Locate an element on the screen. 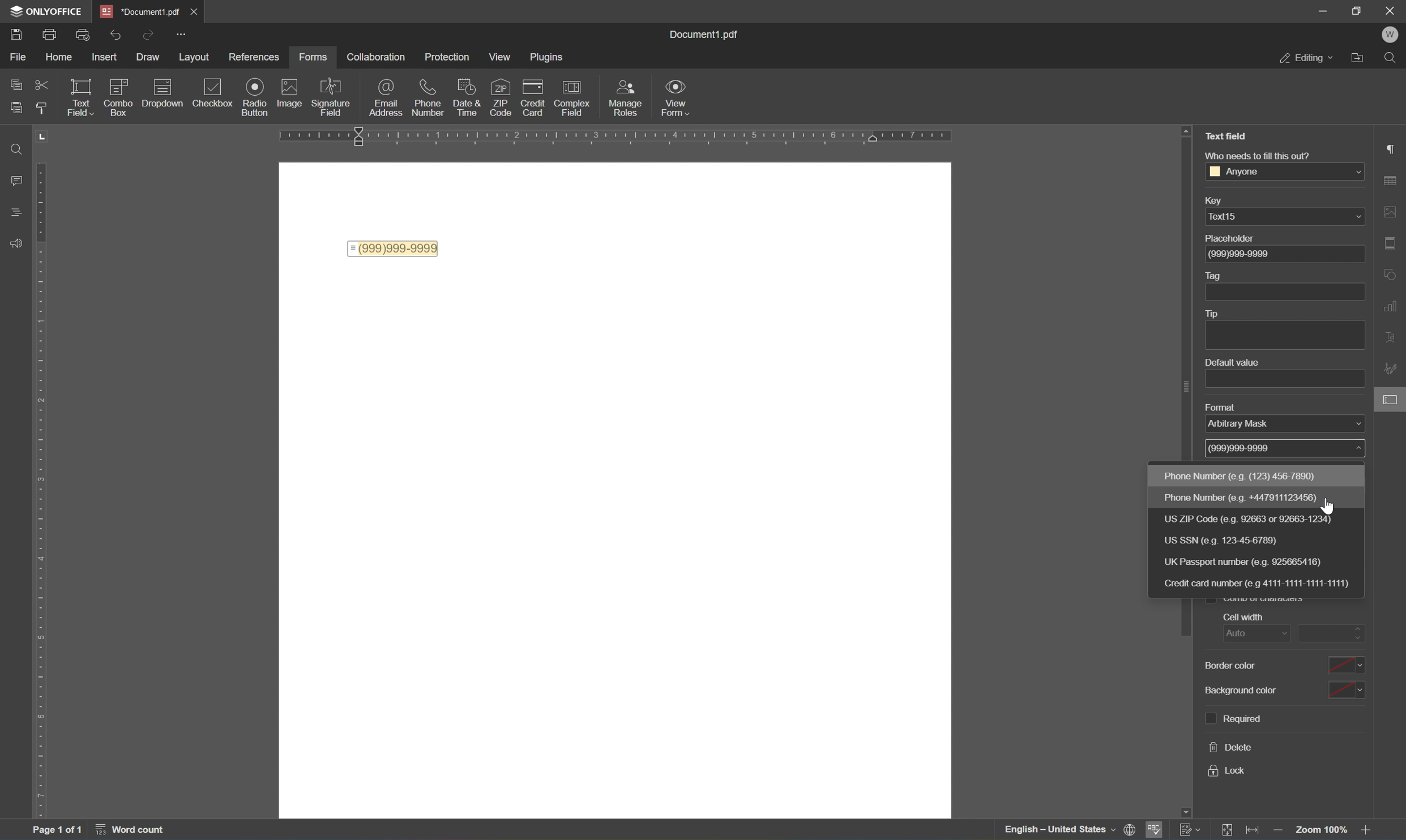 The width and height of the screenshot is (1406, 840). text field is located at coordinates (82, 100).